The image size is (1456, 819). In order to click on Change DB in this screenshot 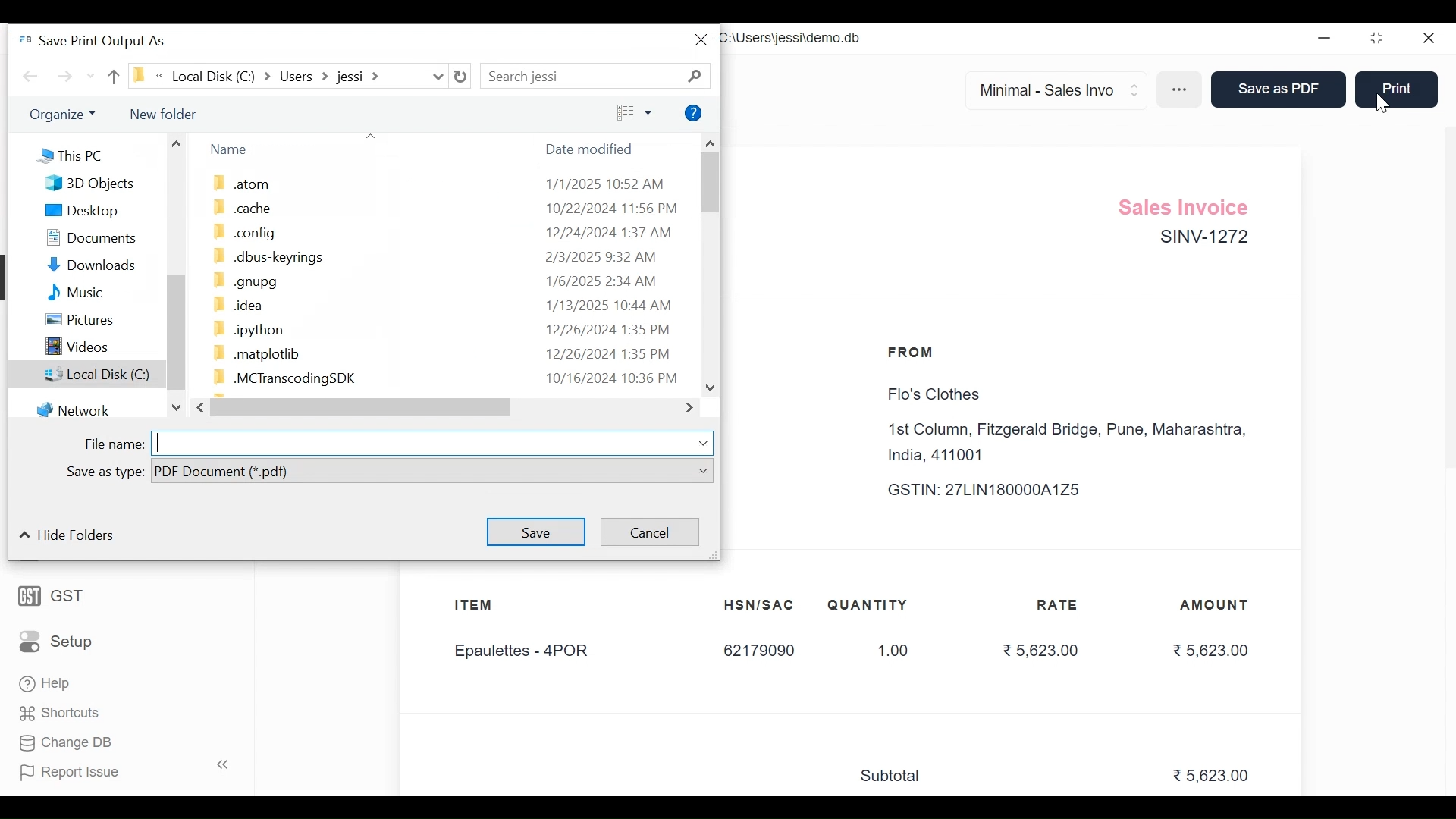, I will do `click(64, 742)`.